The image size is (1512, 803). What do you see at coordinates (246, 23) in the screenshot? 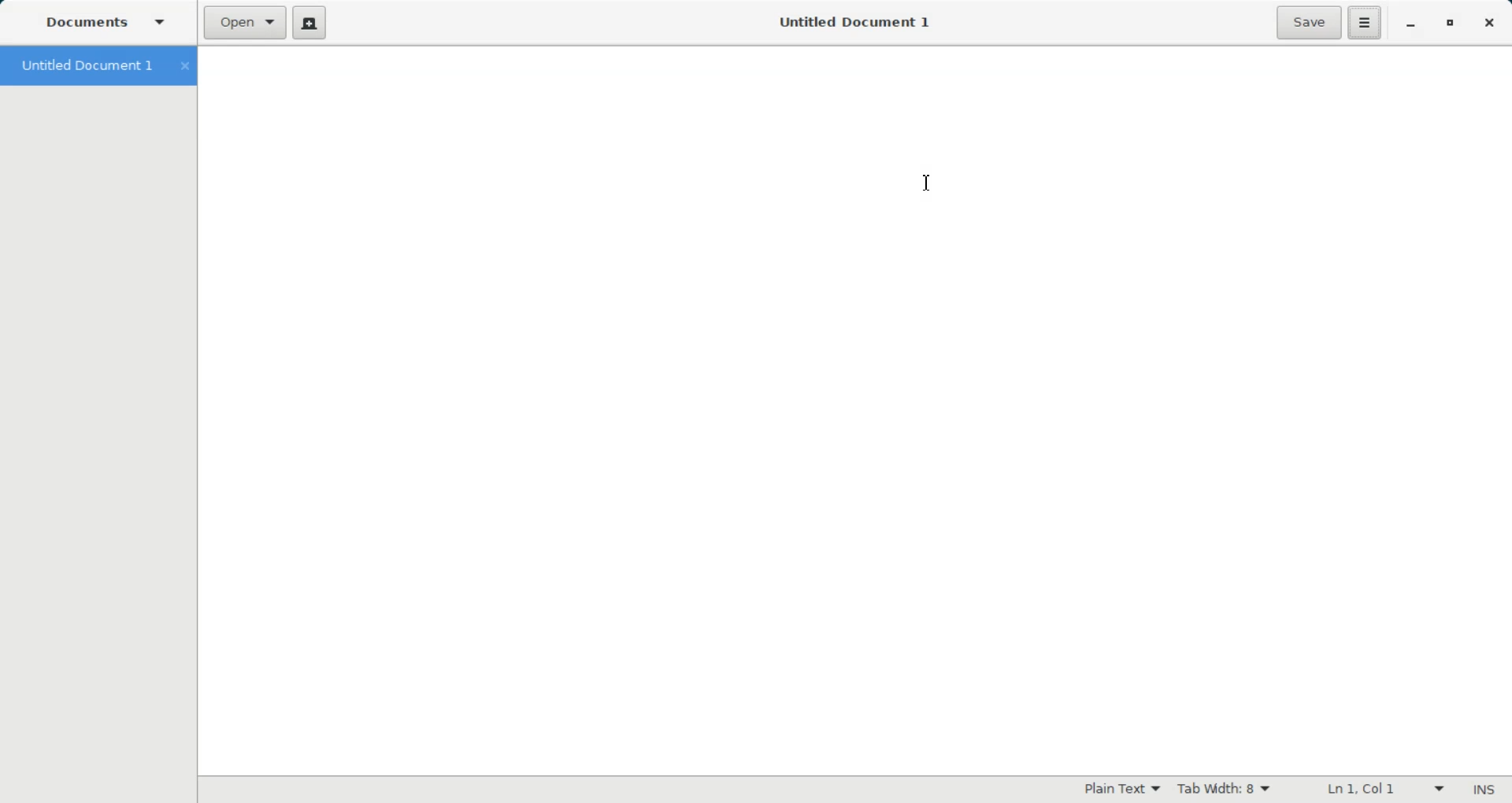
I see `Open a file` at bounding box center [246, 23].